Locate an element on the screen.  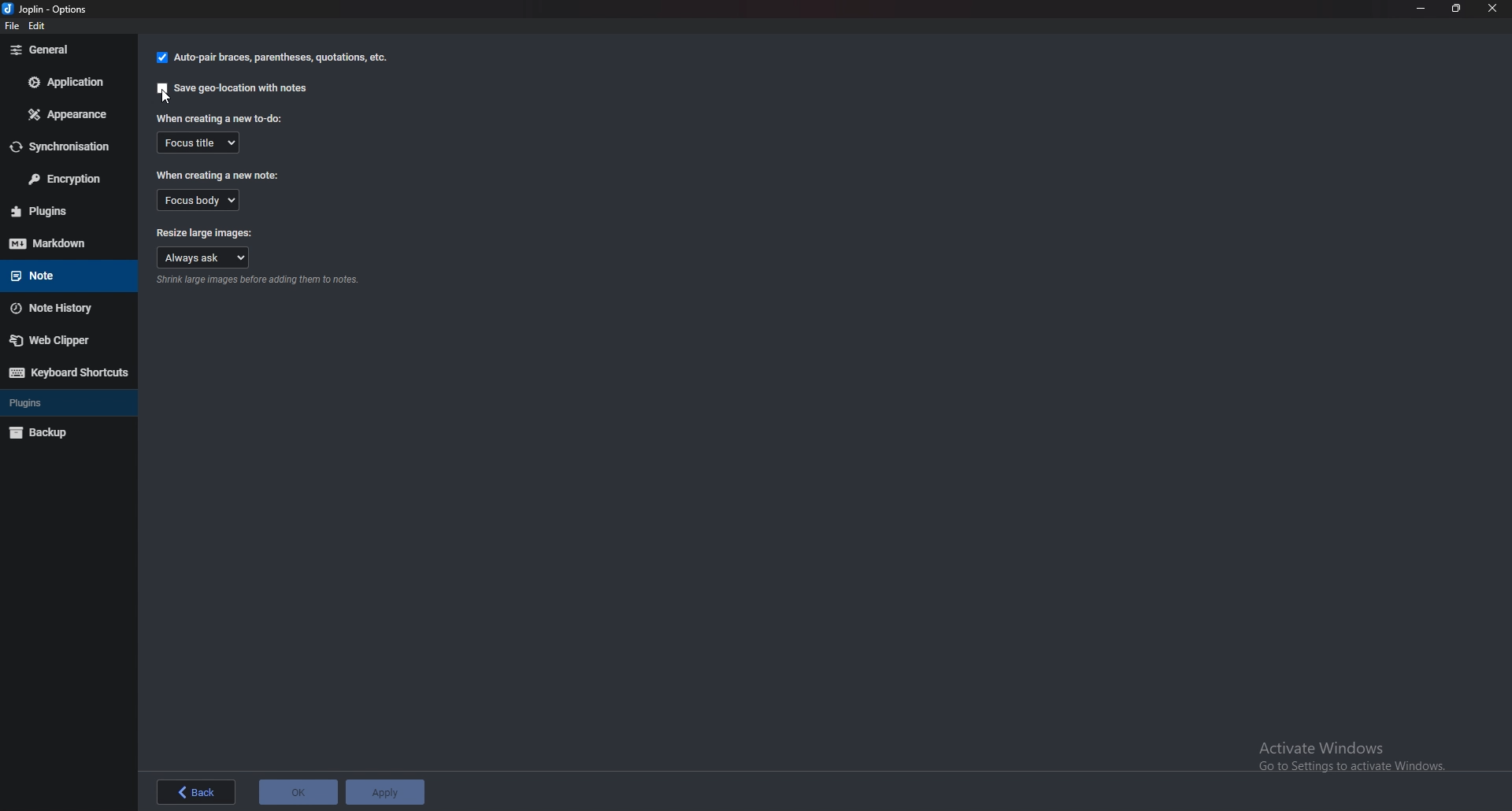
file is located at coordinates (14, 26).